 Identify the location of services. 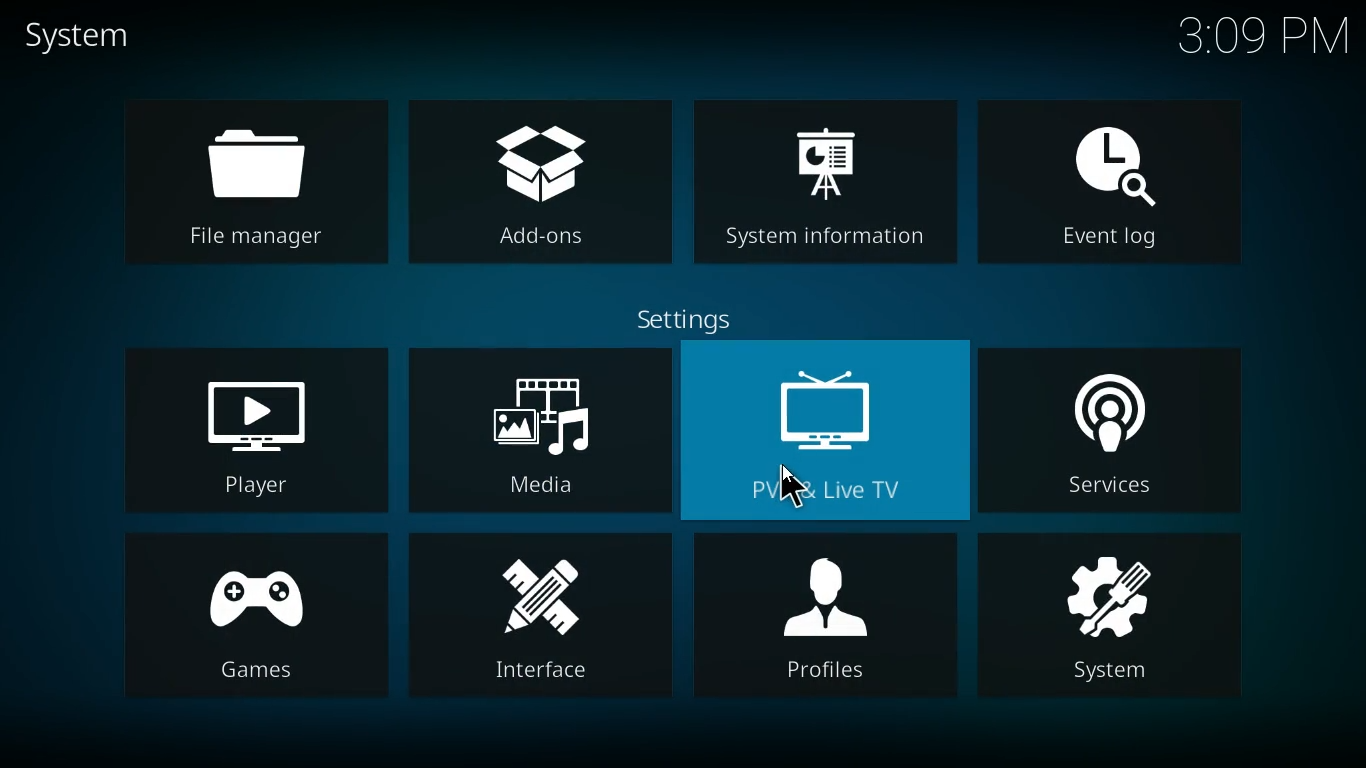
(1116, 428).